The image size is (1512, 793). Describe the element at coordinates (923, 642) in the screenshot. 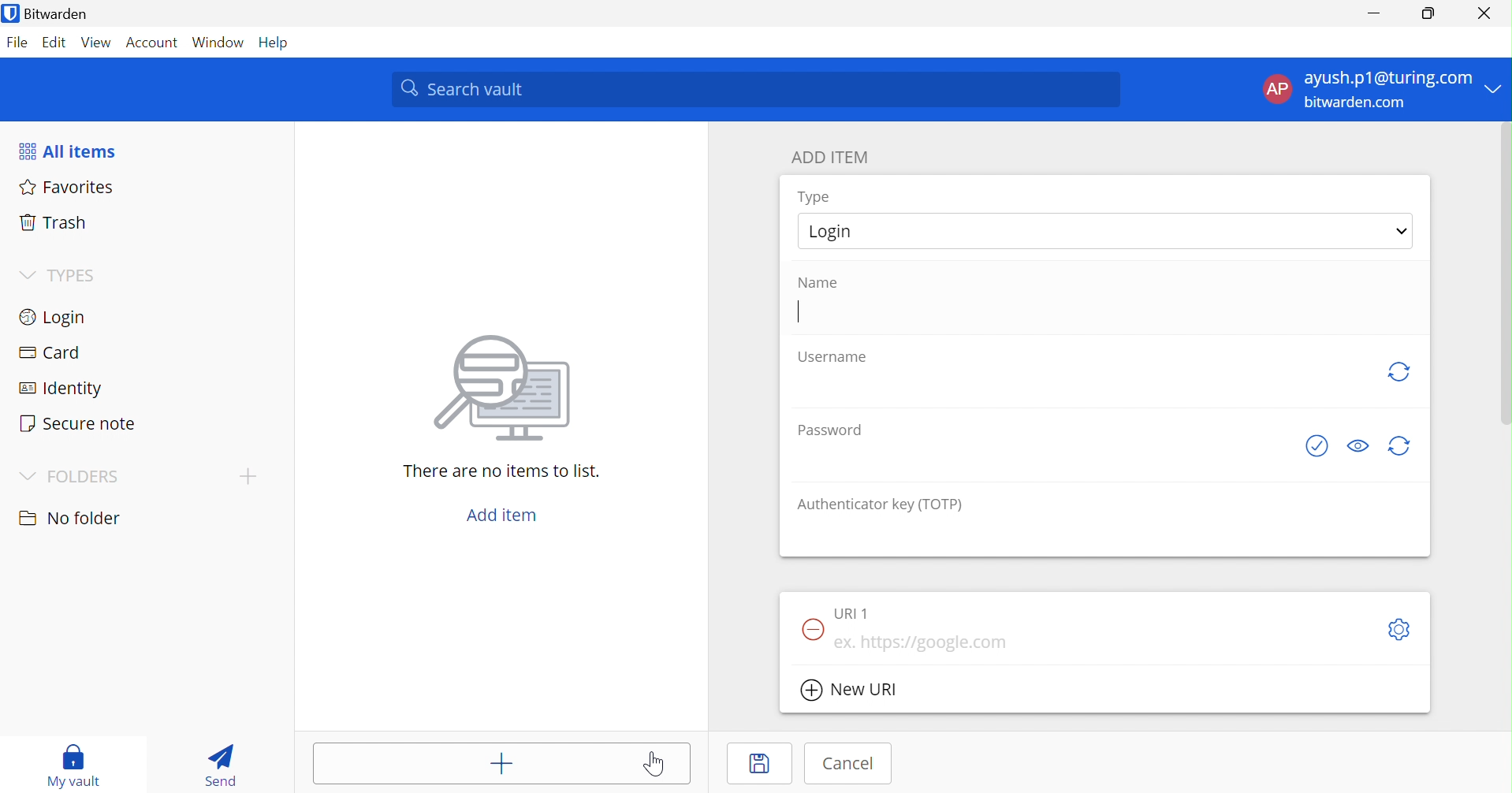

I see `ex. https://google.com` at that location.